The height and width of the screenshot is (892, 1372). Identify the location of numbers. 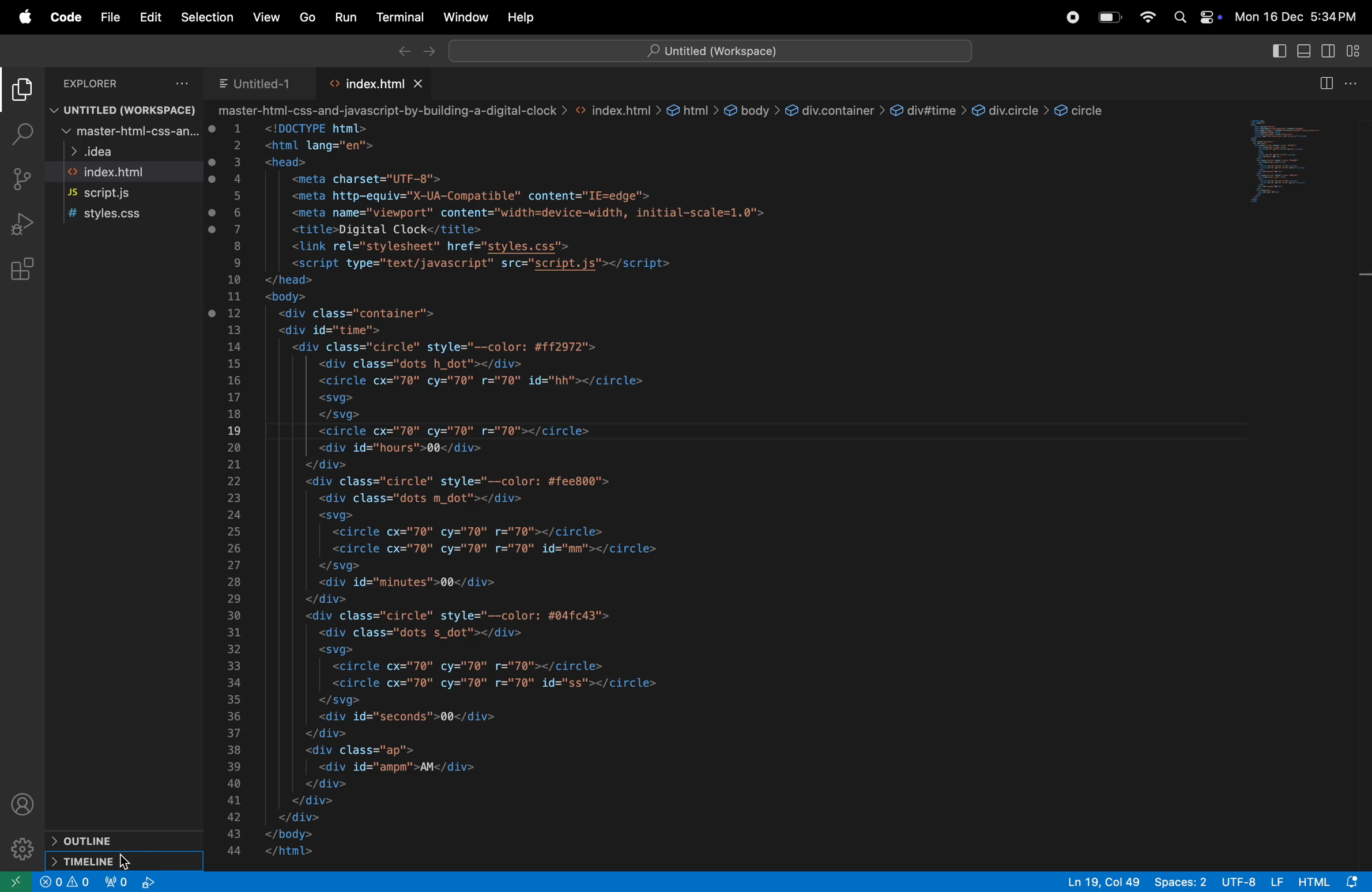
(235, 490).